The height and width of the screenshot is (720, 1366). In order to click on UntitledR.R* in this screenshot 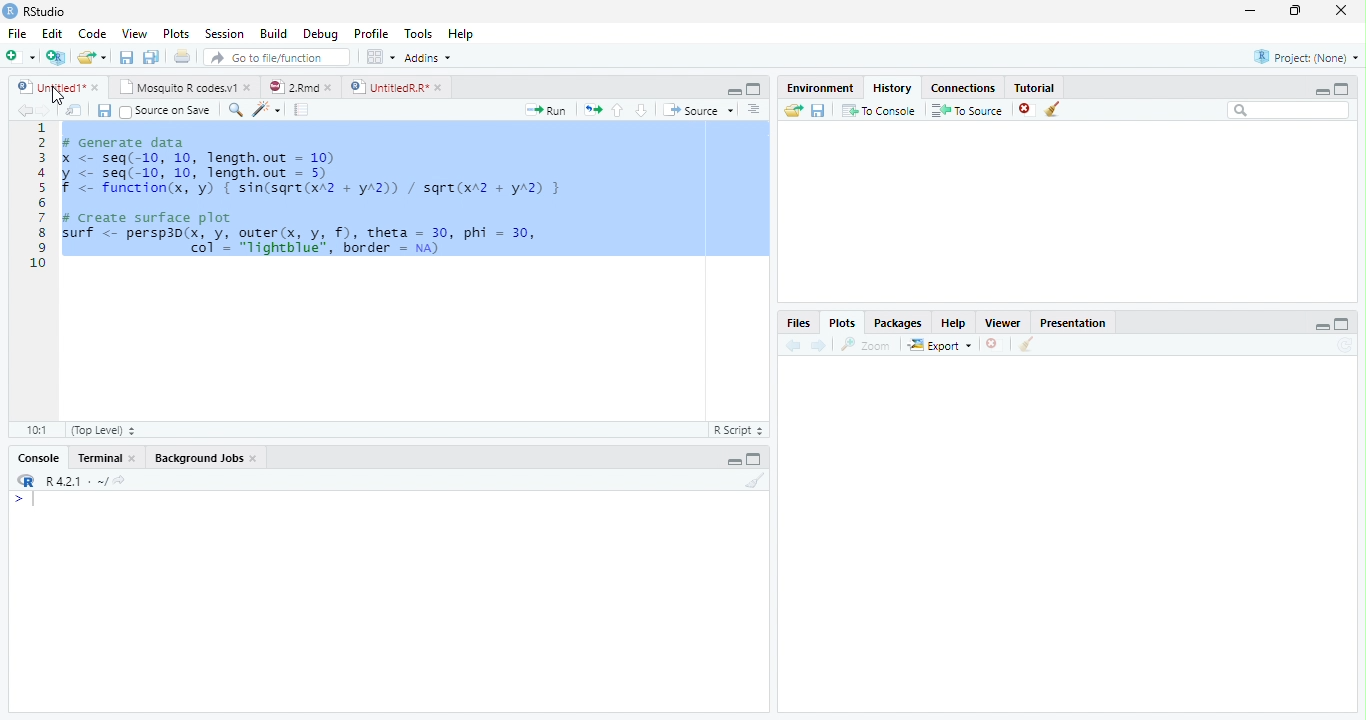, I will do `click(387, 87)`.